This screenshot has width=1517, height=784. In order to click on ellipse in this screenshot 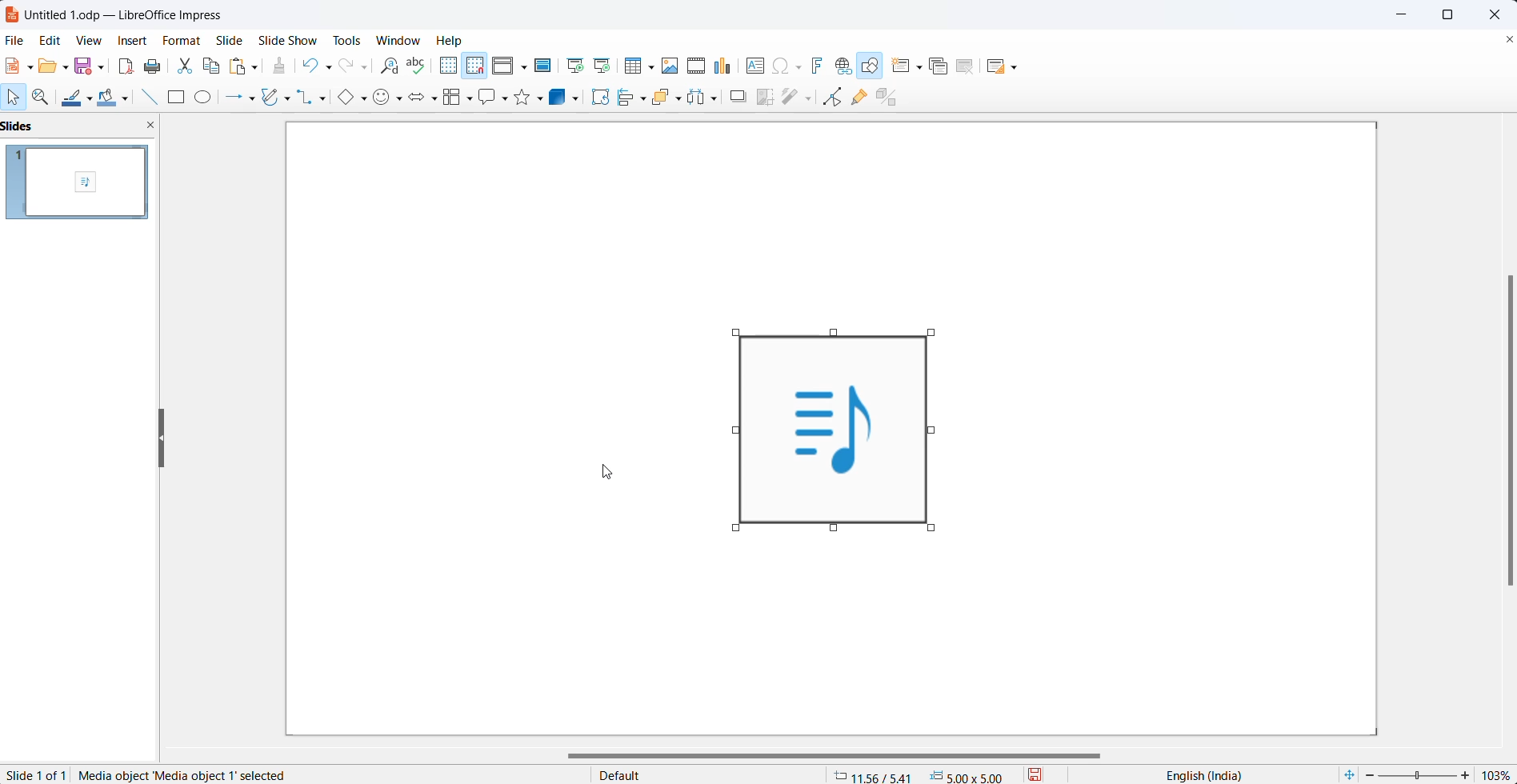, I will do `click(206, 98)`.